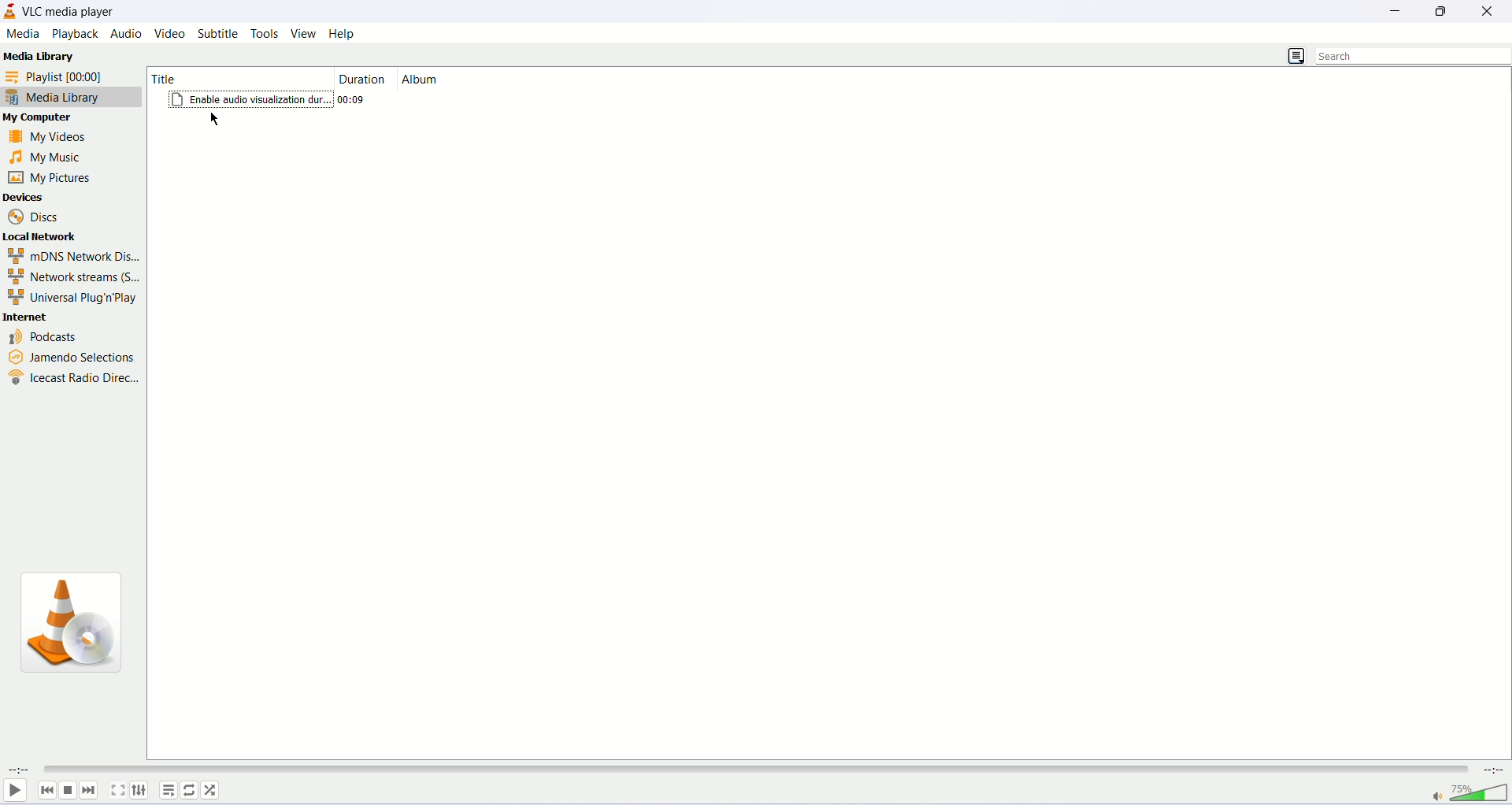  Describe the element at coordinates (168, 790) in the screenshot. I see `playlist` at that location.